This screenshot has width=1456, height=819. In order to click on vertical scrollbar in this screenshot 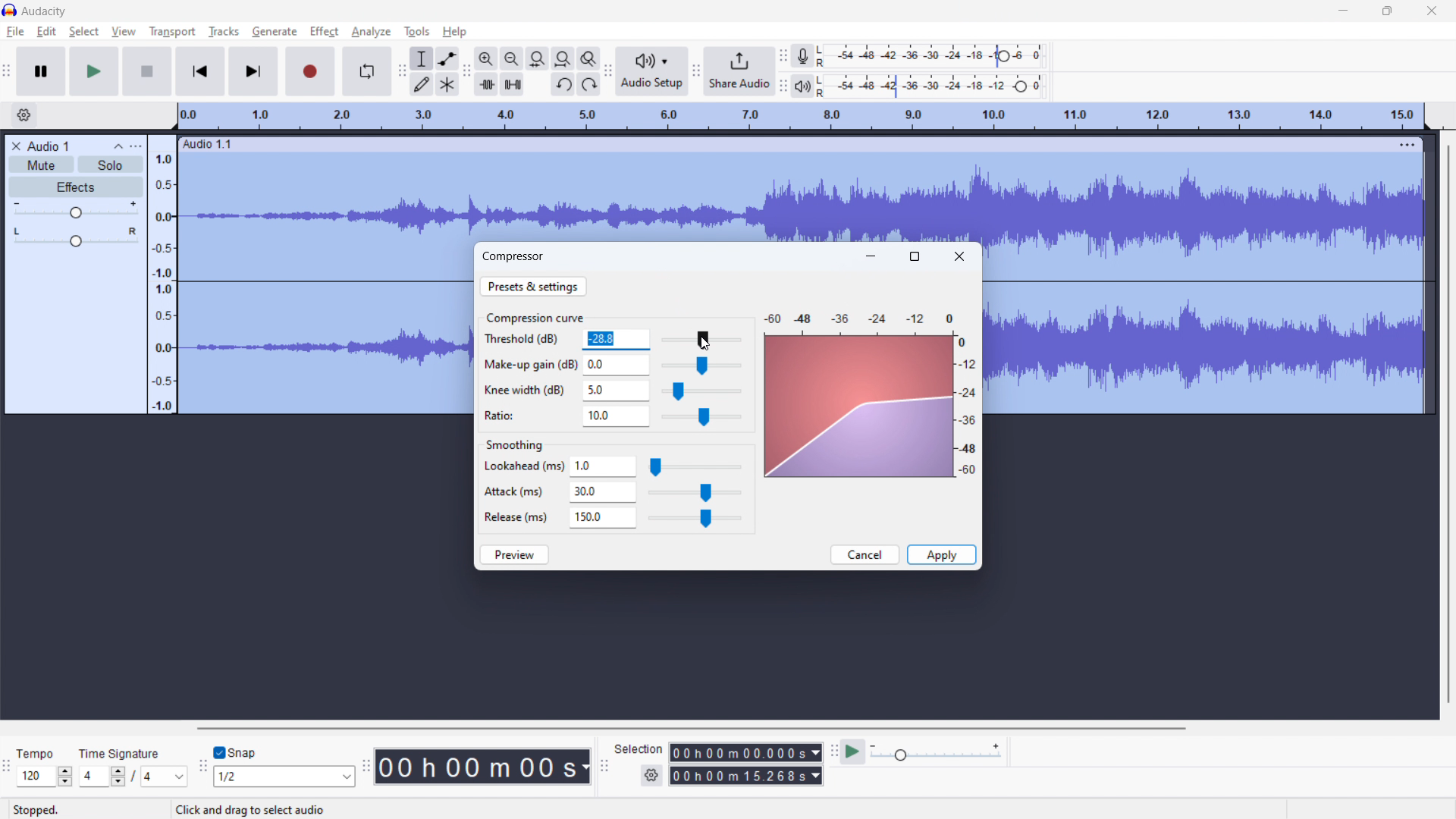, I will do `click(1449, 419)`.